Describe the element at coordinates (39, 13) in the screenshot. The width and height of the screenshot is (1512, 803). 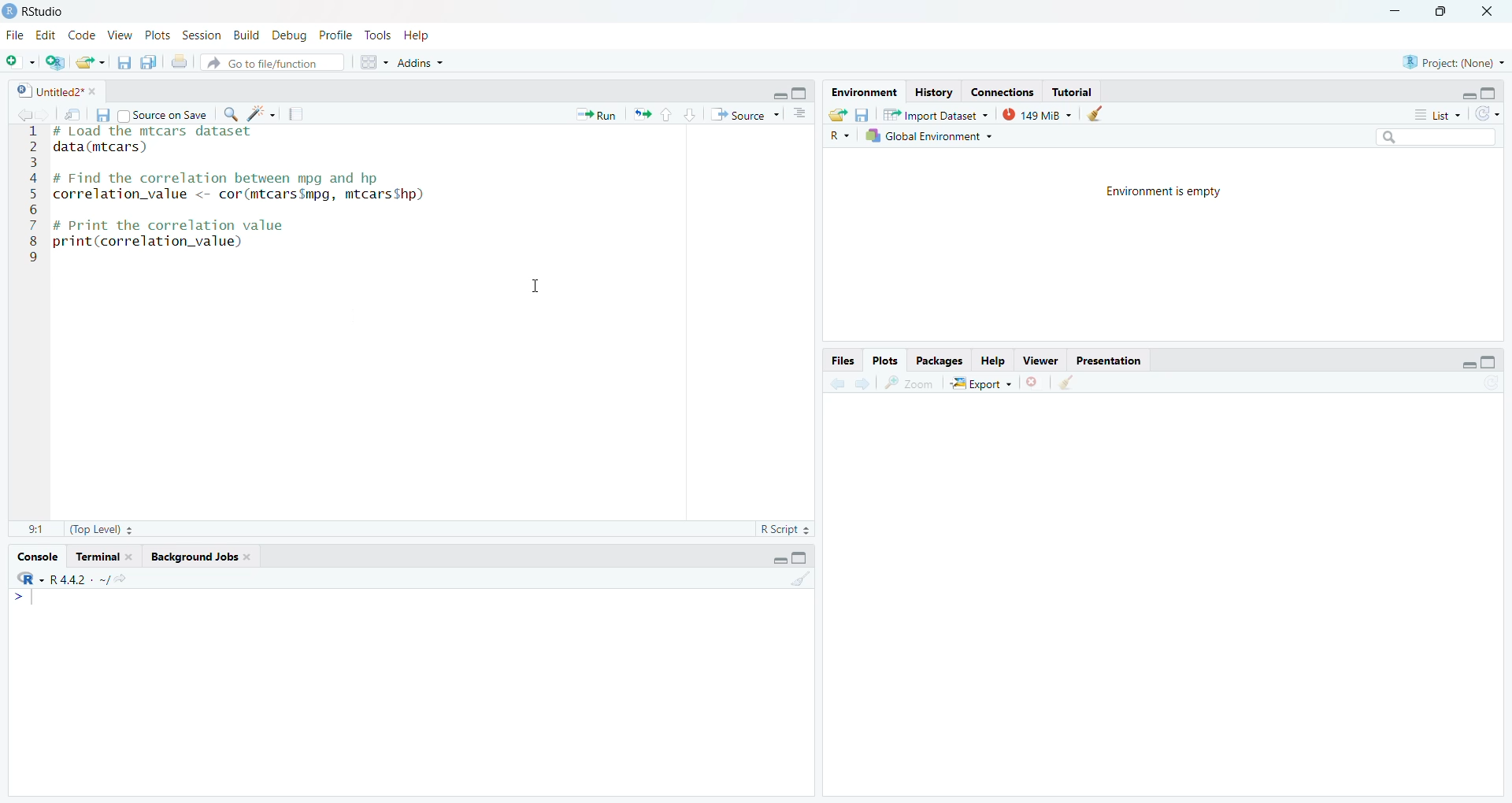
I see `RStudio` at that location.